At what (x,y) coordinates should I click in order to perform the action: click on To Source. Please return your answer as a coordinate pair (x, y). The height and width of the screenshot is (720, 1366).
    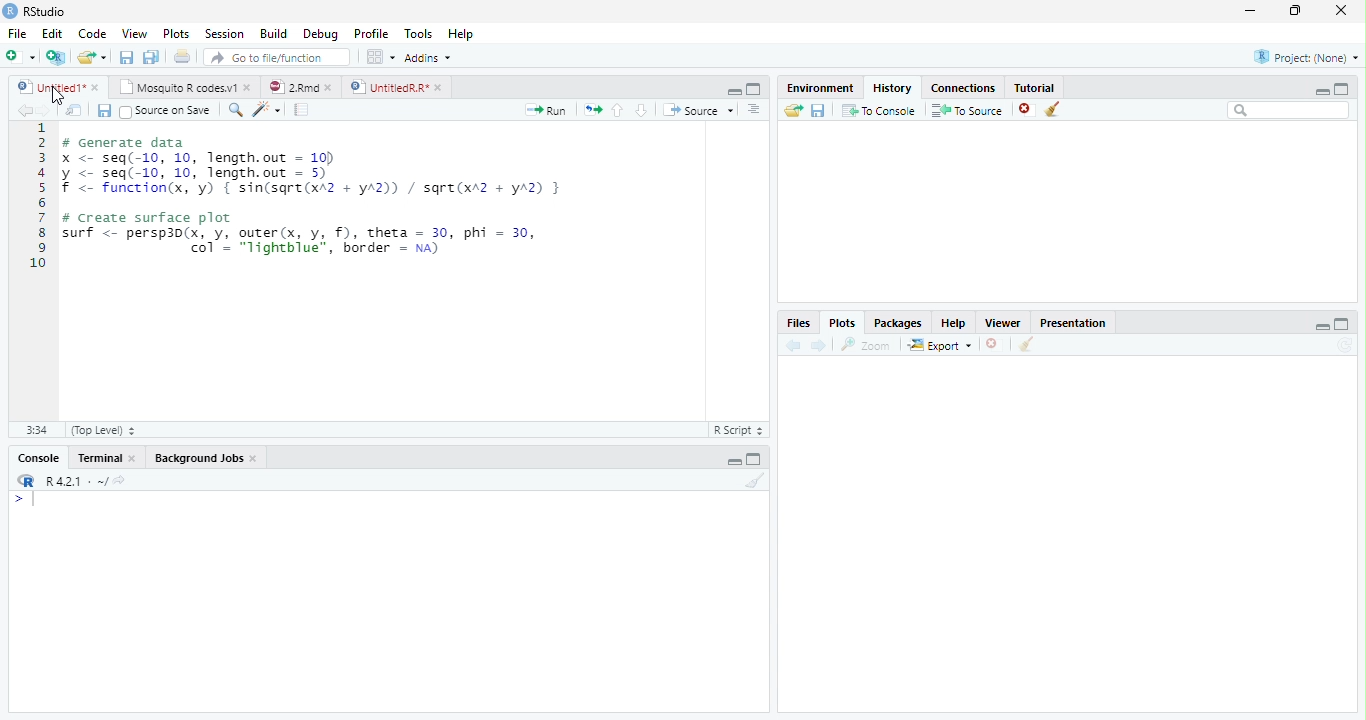
    Looking at the image, I should click on (966, 110).